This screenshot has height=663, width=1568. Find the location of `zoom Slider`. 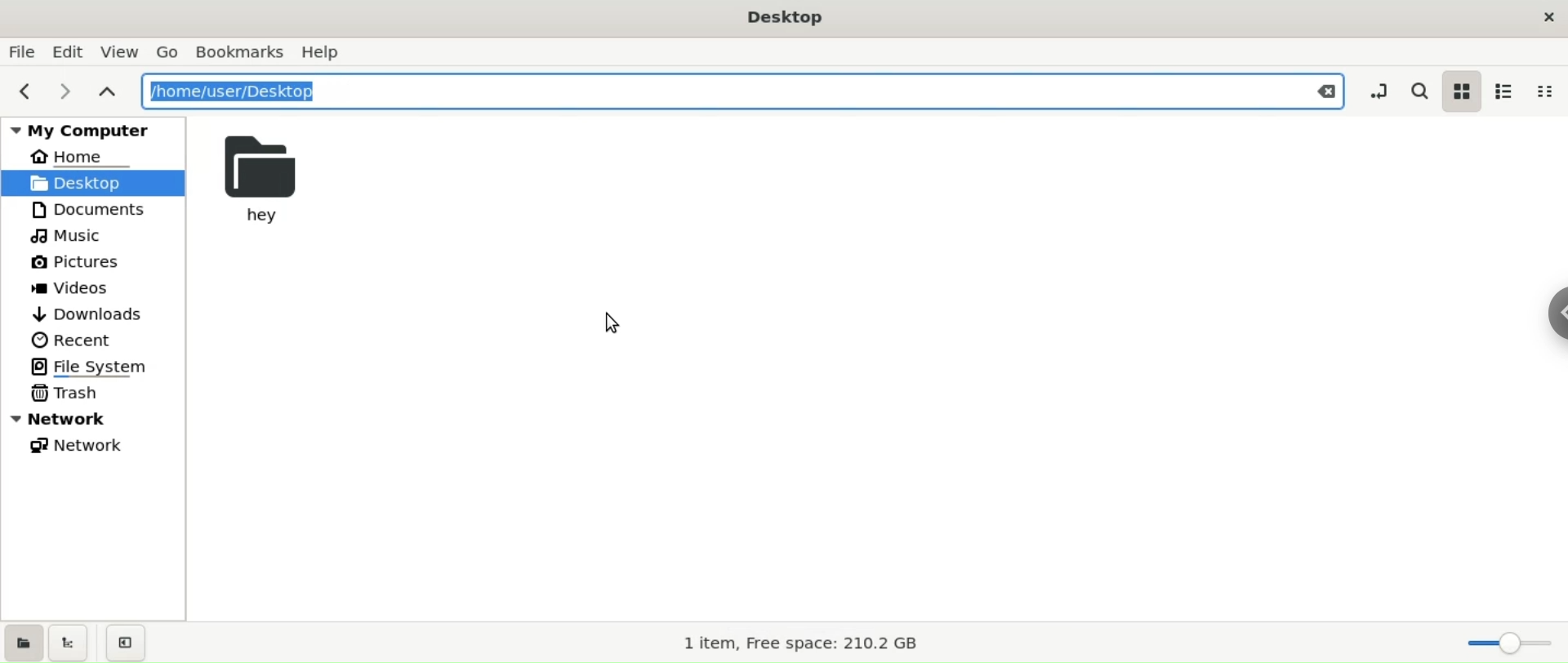

zoom Slider is located at coordinates (1510, 642).